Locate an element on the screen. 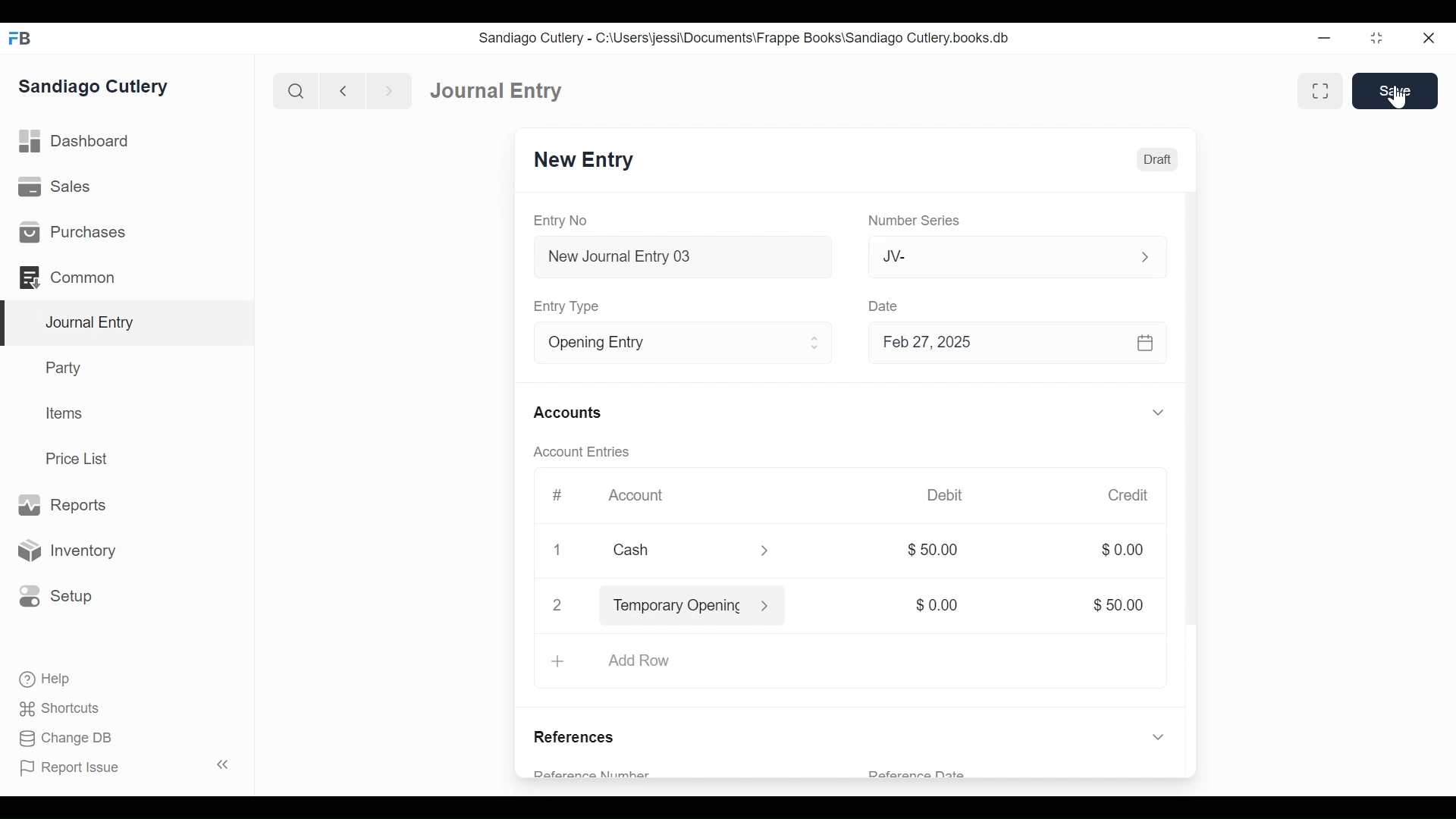  Toggle between form and full width is located at coordinates (1320, 90).